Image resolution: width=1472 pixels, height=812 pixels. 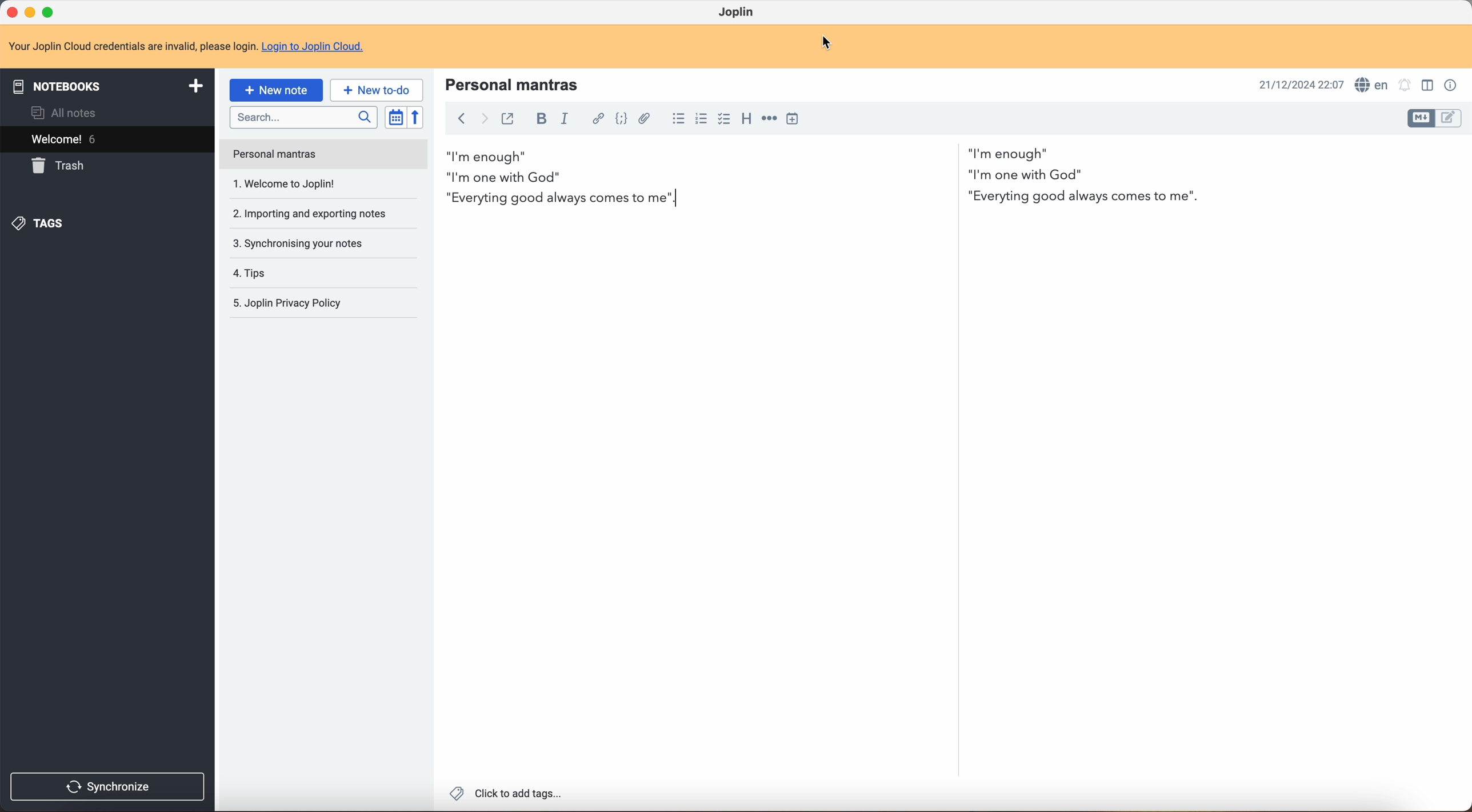 What do you see at coordinates (690, 495) in the screenshot?
I see `body text` at bounding box center [690, 495].